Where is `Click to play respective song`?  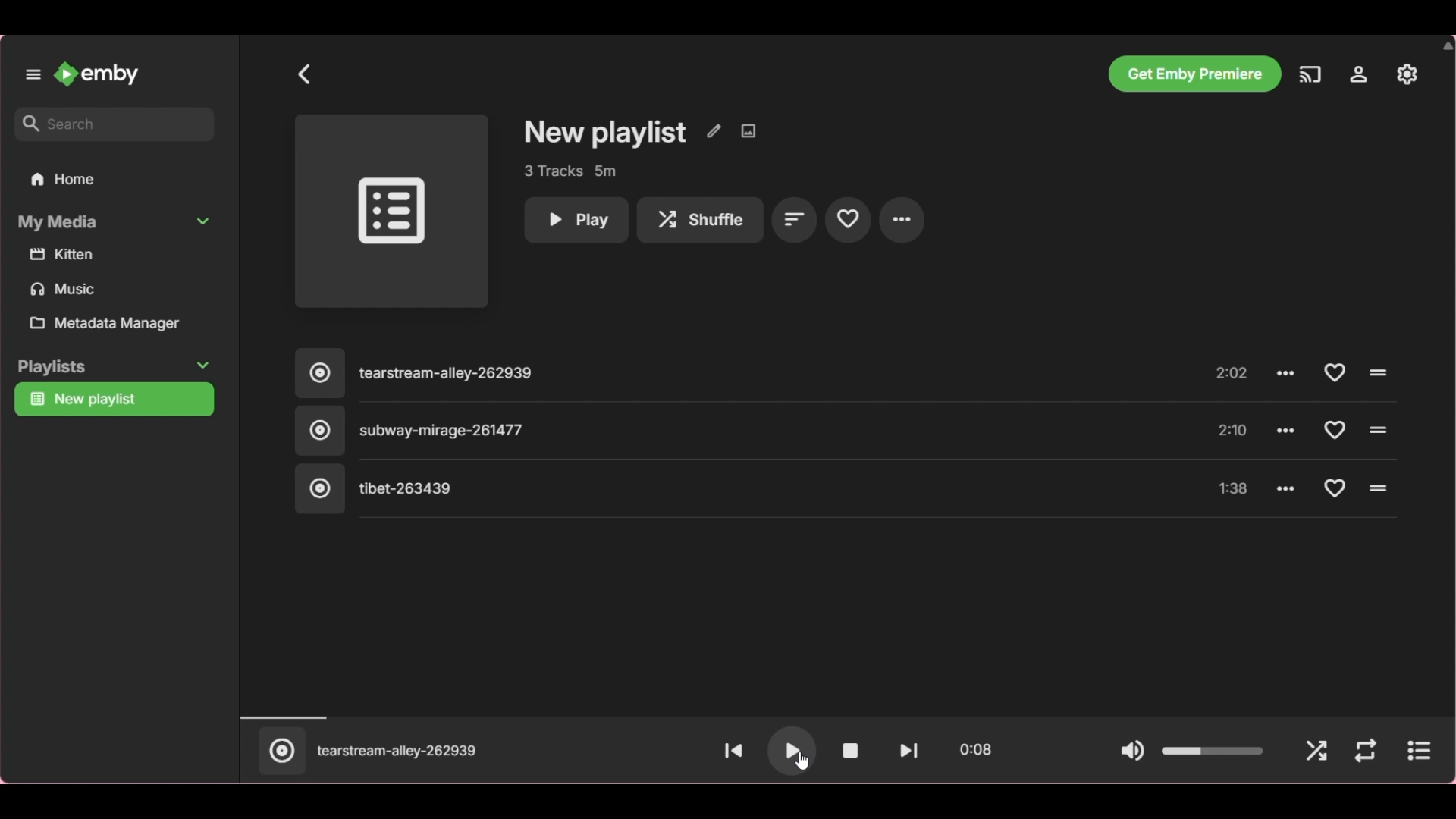
Click to play respective song is located at coordinates (1378, 429).